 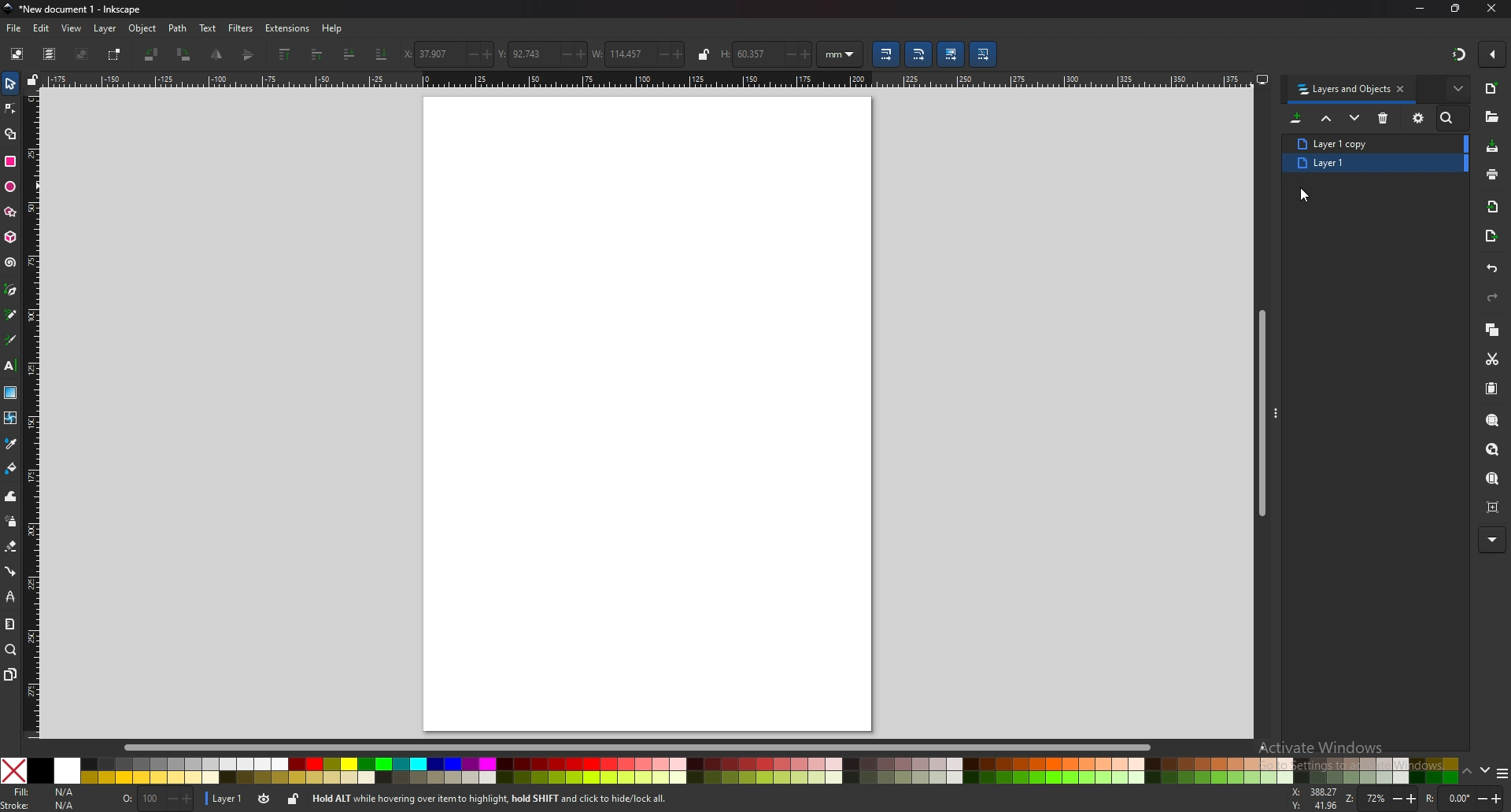 What do you see at coordinates (249, 55) in the screenshot?
I see `flip horizontally` at bounding box center [249, 55].